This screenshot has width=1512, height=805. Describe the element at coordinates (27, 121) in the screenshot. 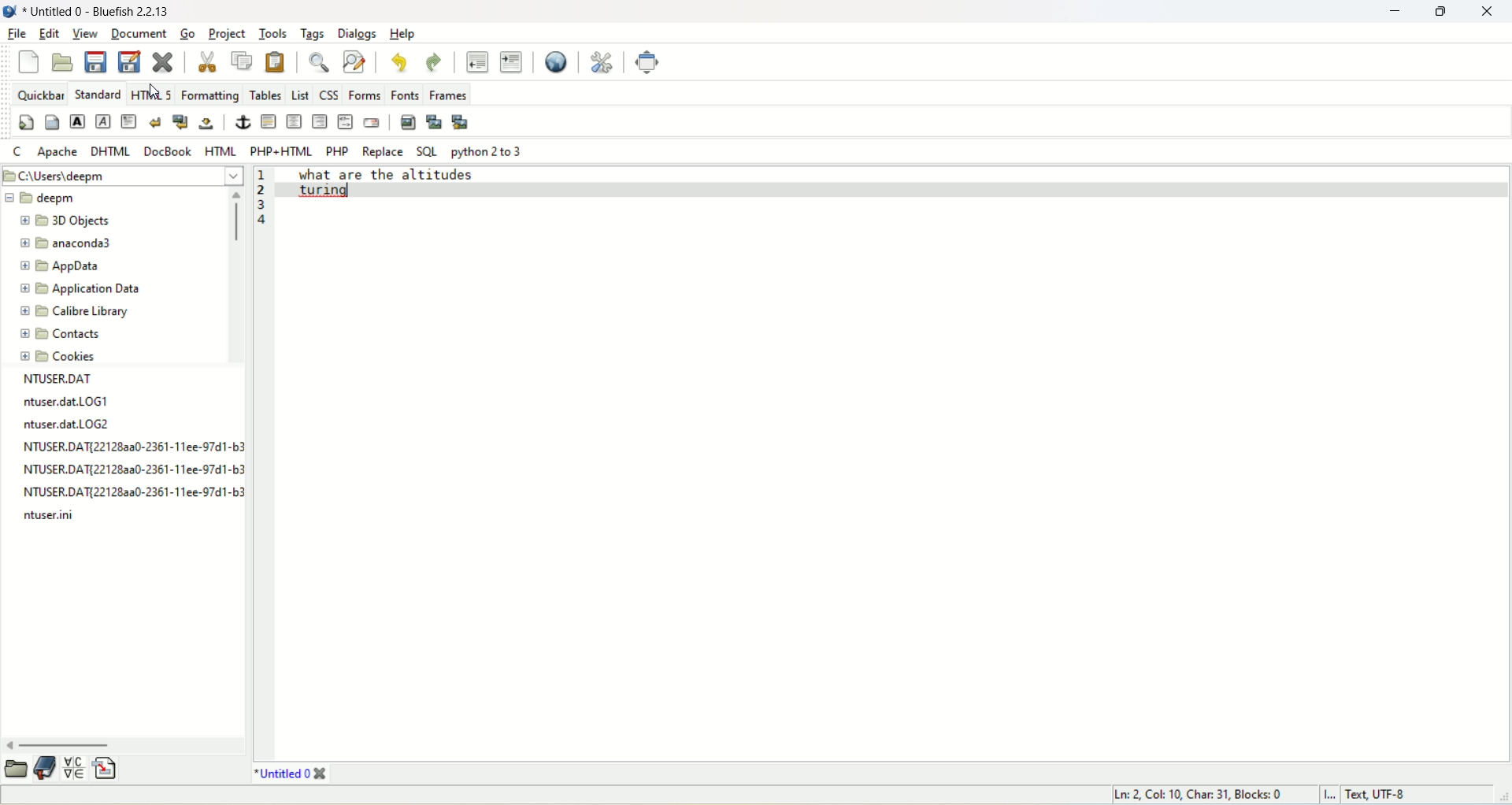

I see `quickstart` at that location.